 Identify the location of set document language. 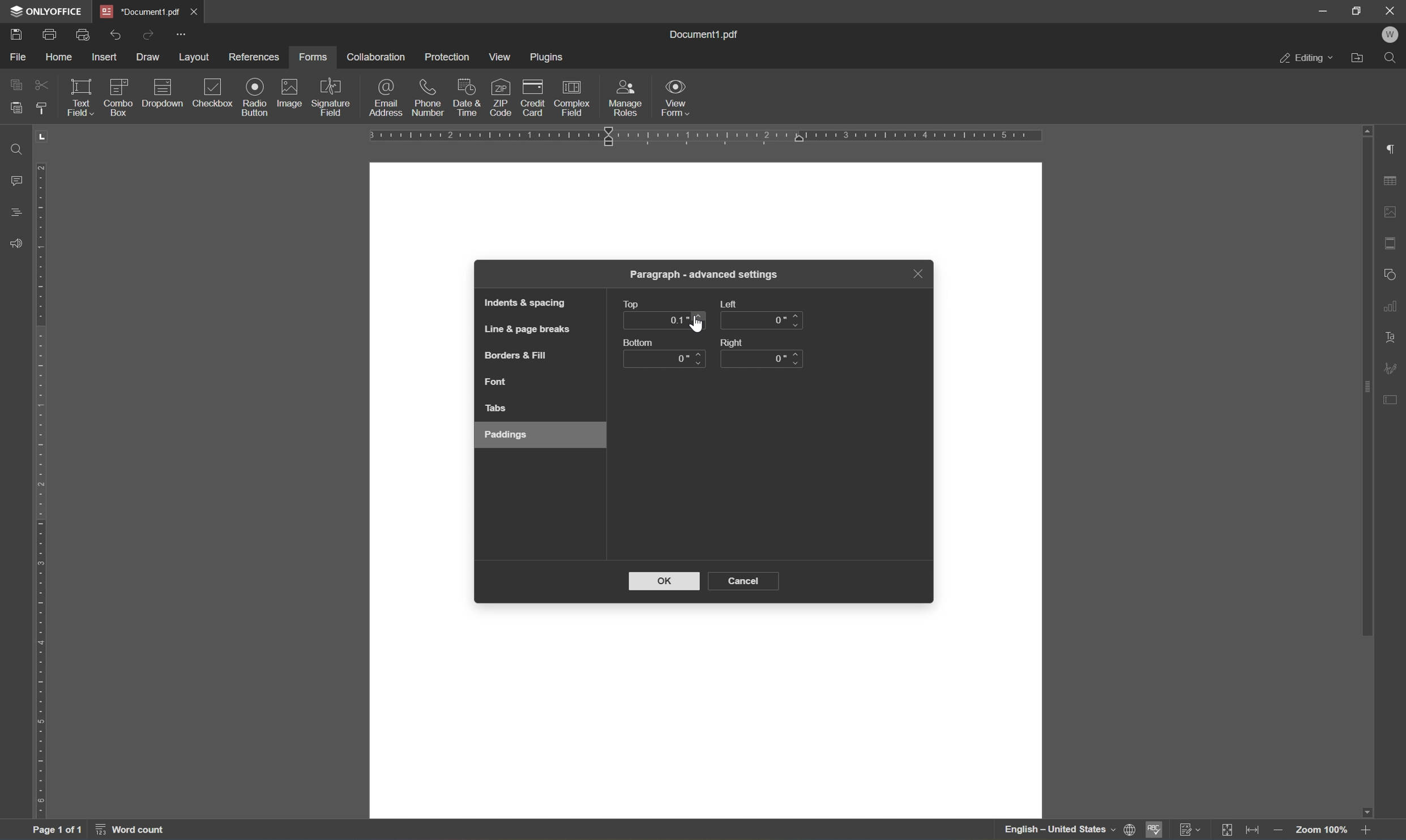
(1066, 830).